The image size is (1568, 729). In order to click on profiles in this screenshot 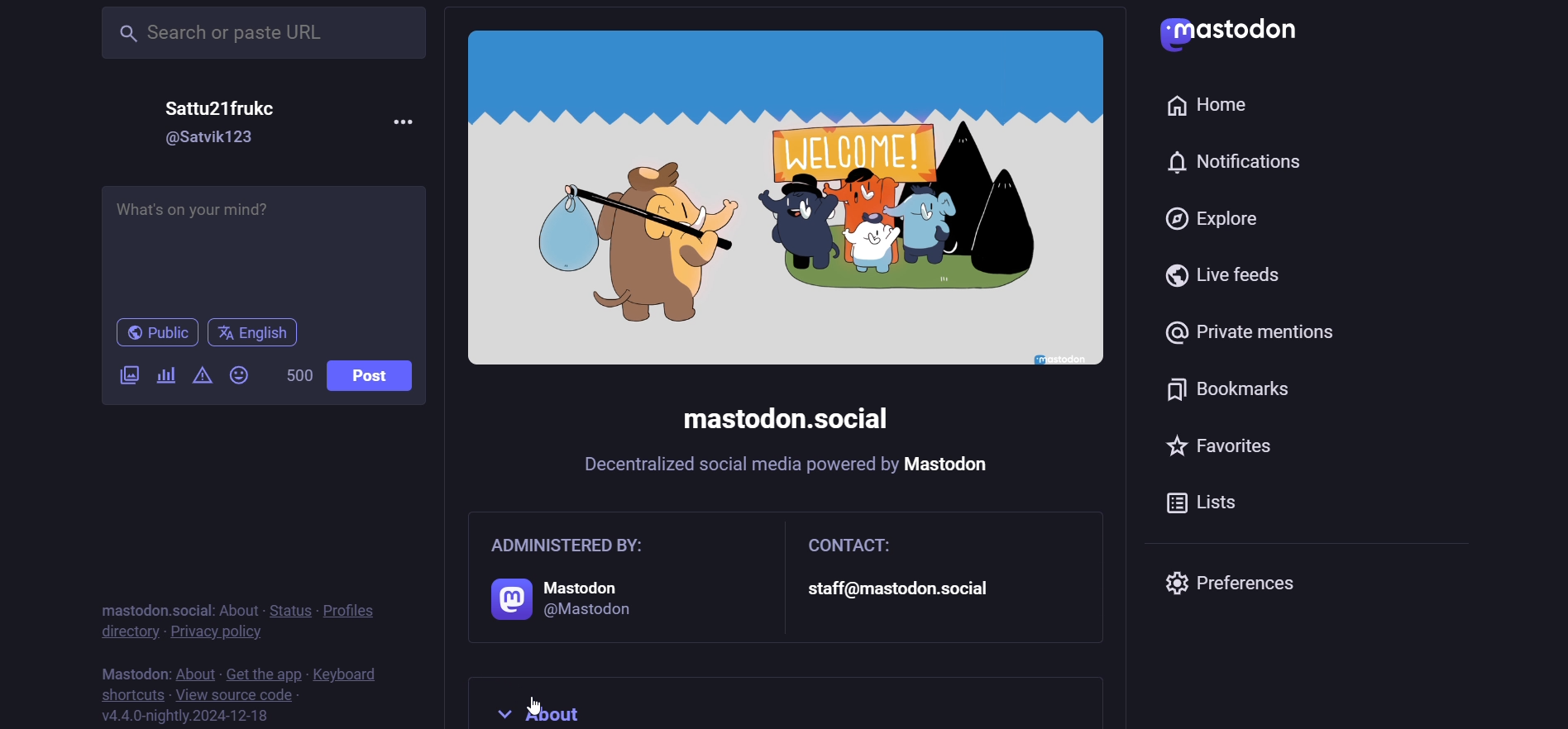, I will do `click(353, 608)`.